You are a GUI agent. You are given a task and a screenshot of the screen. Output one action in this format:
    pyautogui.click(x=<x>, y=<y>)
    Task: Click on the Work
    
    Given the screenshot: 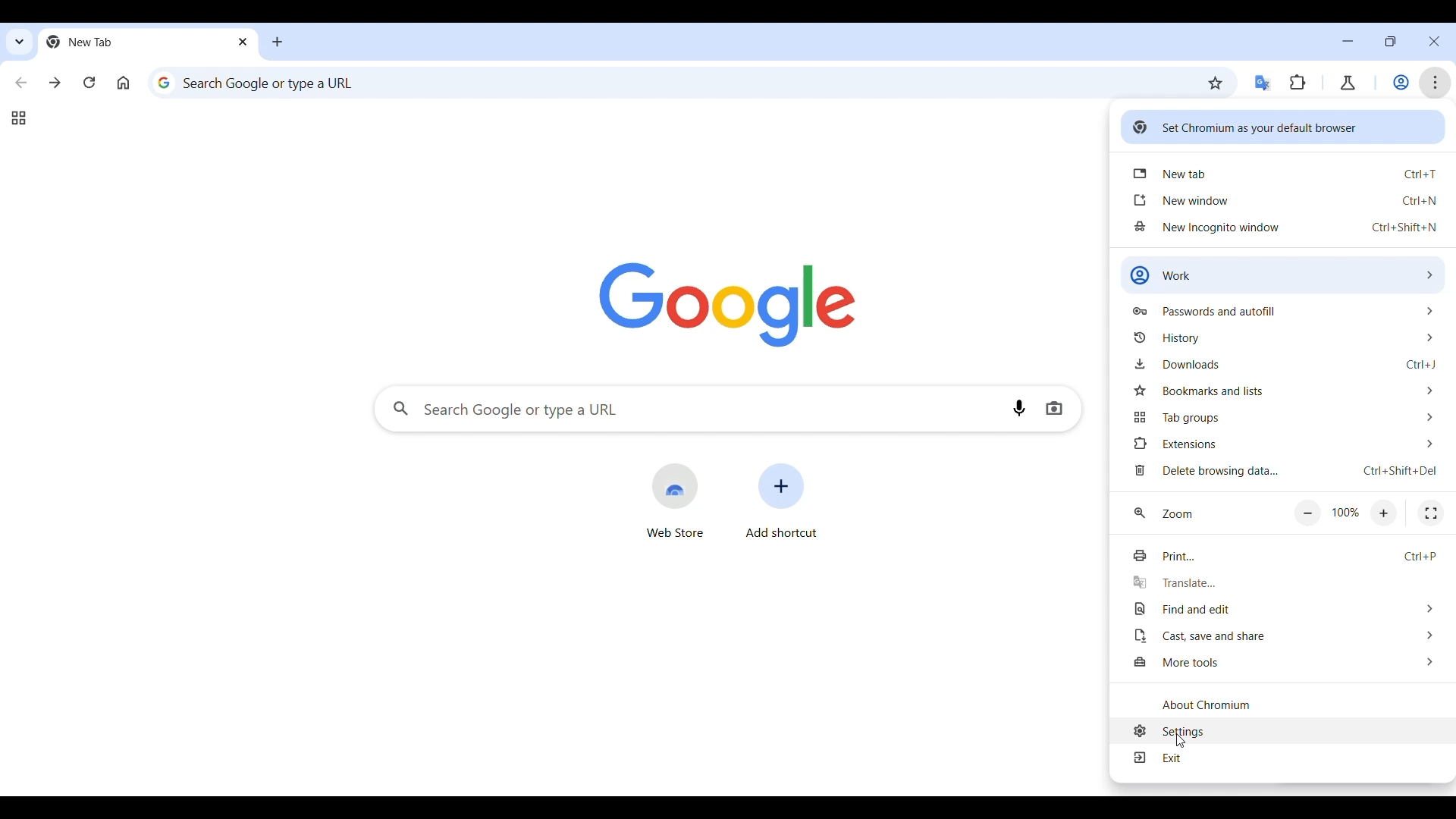 What is the action you would take?
    pyautogui.click(x=1401, y=82)
    